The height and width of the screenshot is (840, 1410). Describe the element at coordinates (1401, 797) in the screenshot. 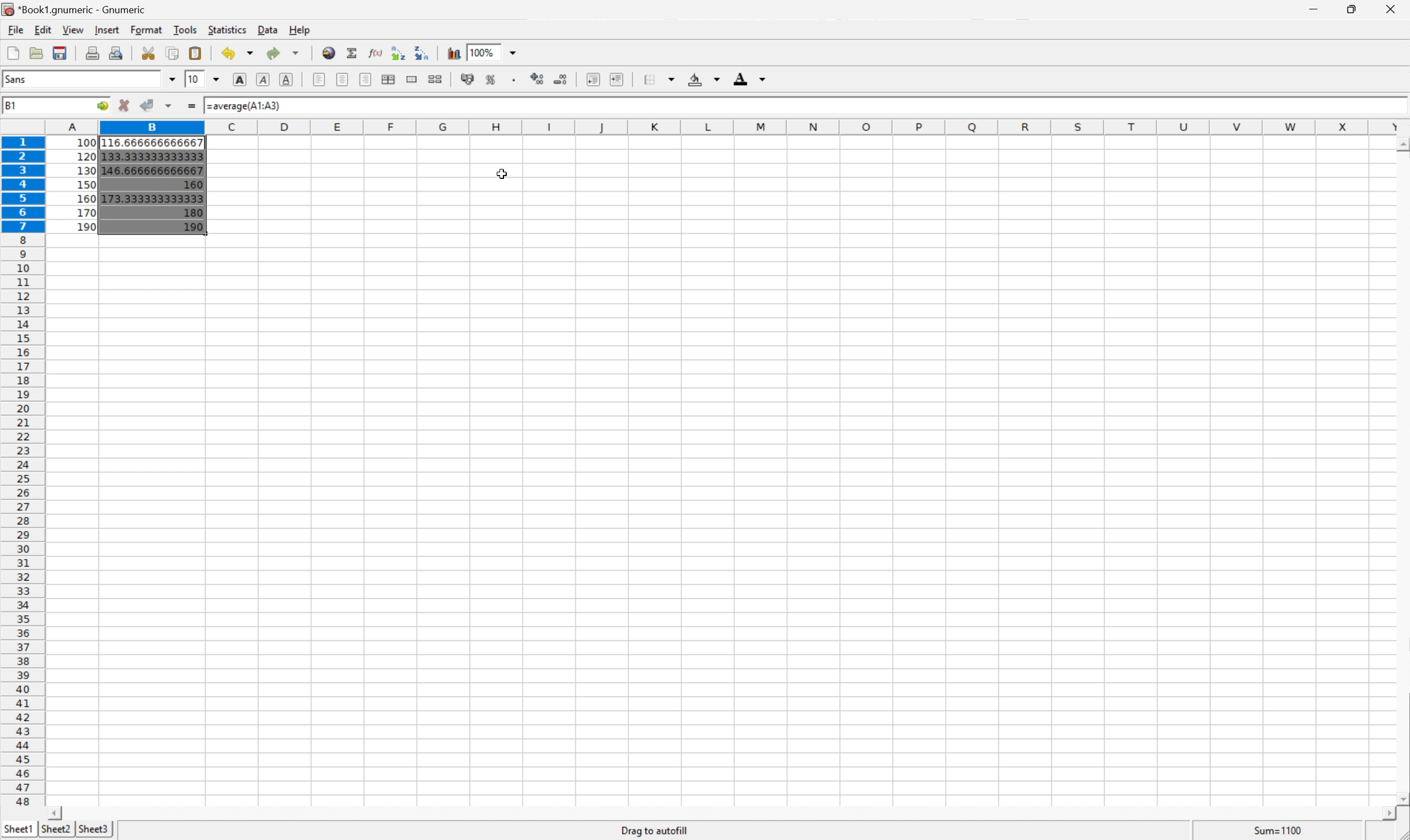

I see `Scroll Down` at that location.